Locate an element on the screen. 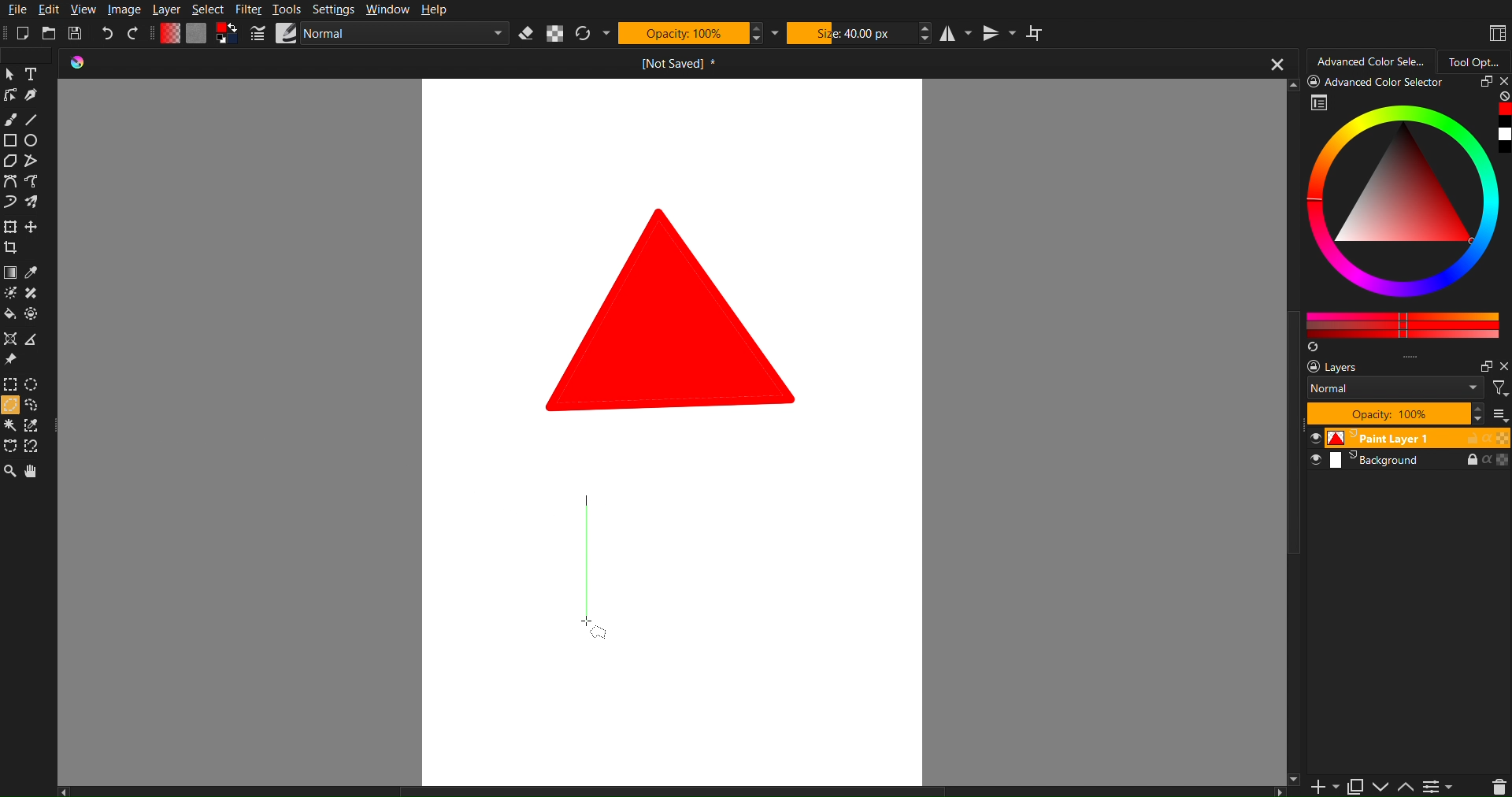 The image size is (1512, 797). Line 1 is located at coordinates (587, 561).